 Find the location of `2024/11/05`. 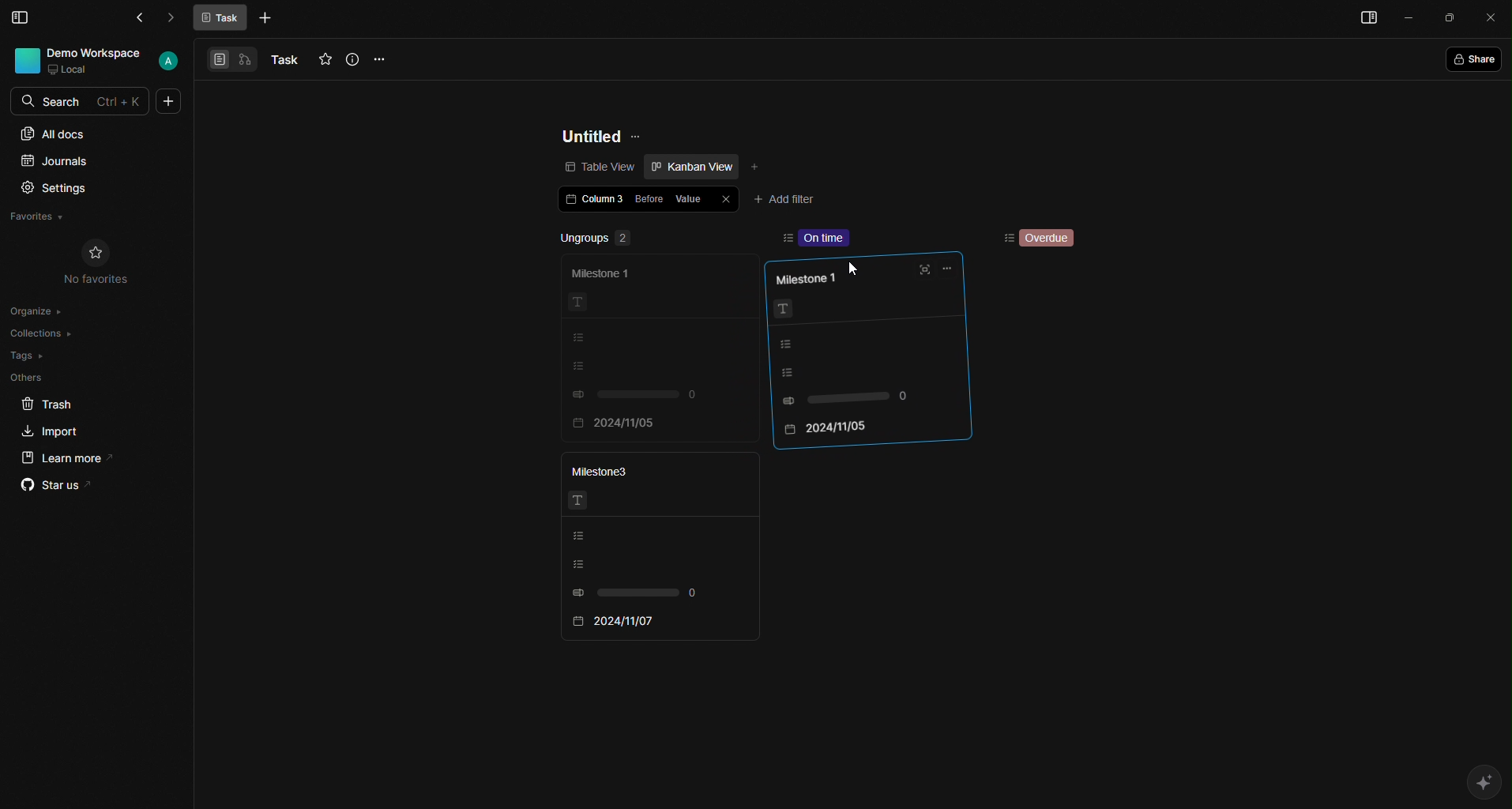

2024/11/05 is located at coordinates (826, 431).